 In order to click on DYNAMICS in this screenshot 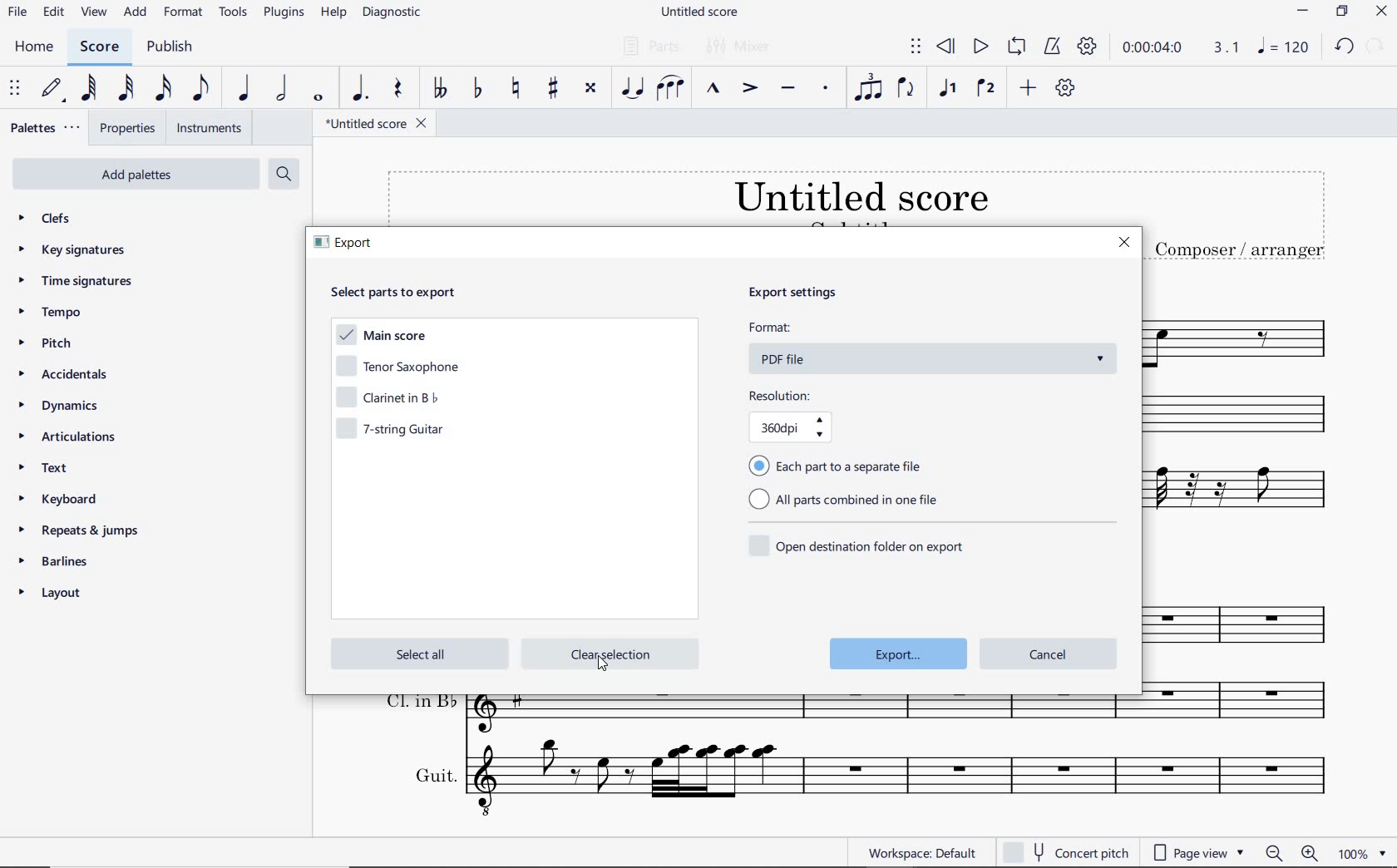, I will do `click(62, 408)`.